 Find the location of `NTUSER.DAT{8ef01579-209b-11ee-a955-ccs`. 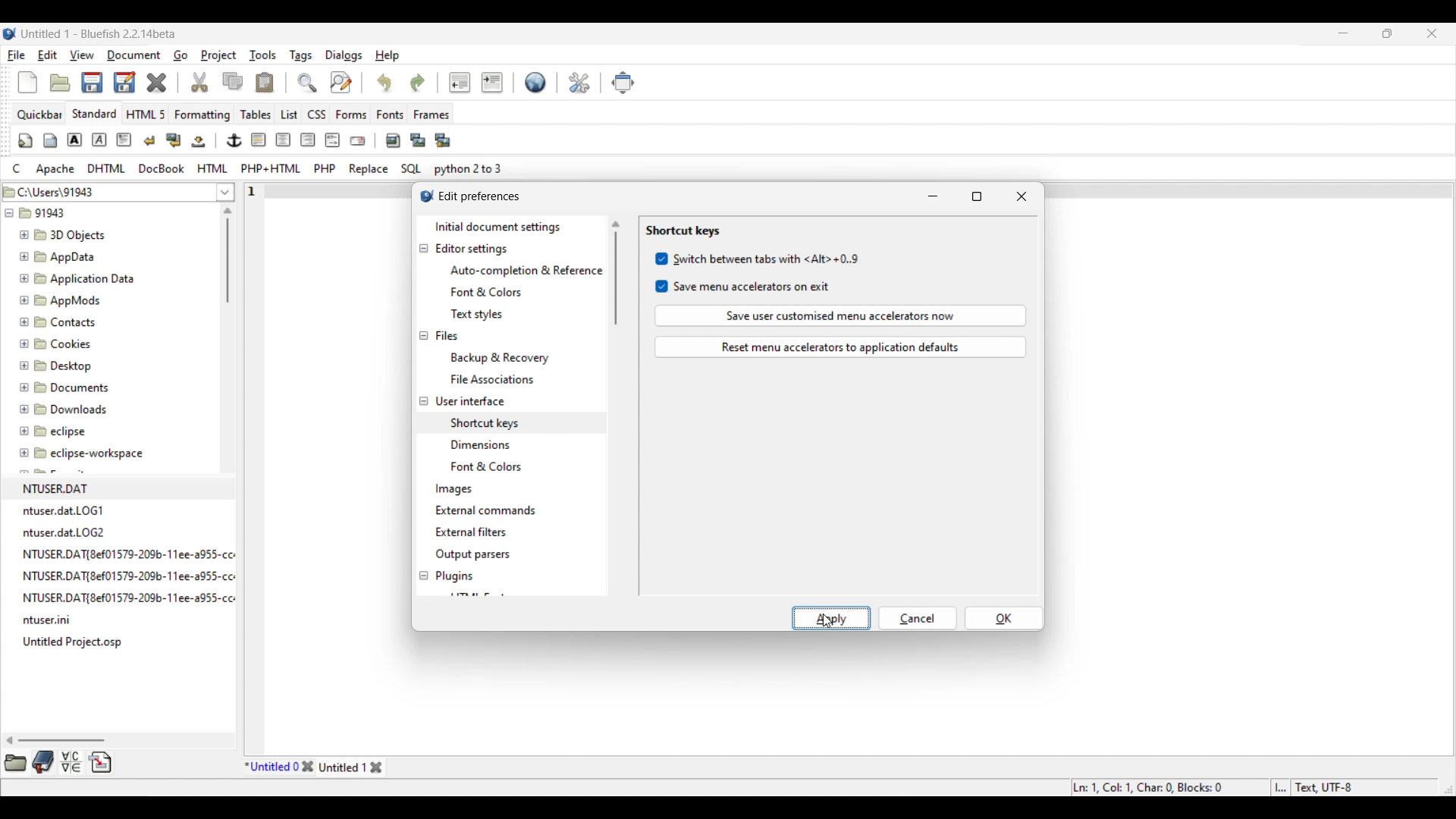

NTUSER.DAT{8ef01579-209b-11ee-a955-ccs is located at coordinates (140, 598).